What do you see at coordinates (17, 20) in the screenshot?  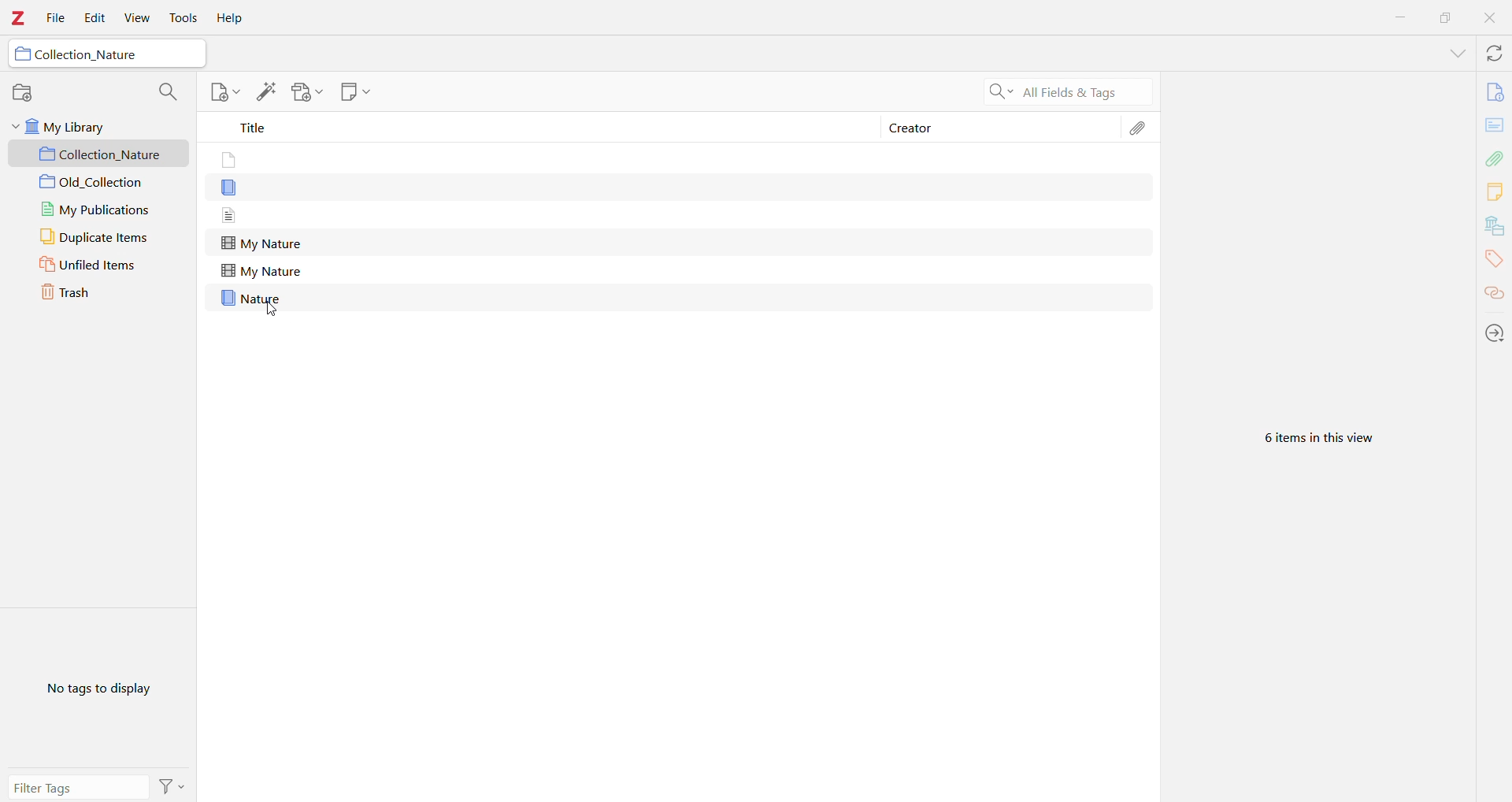 I see `Application Logo` at bounding box center [17, 20].